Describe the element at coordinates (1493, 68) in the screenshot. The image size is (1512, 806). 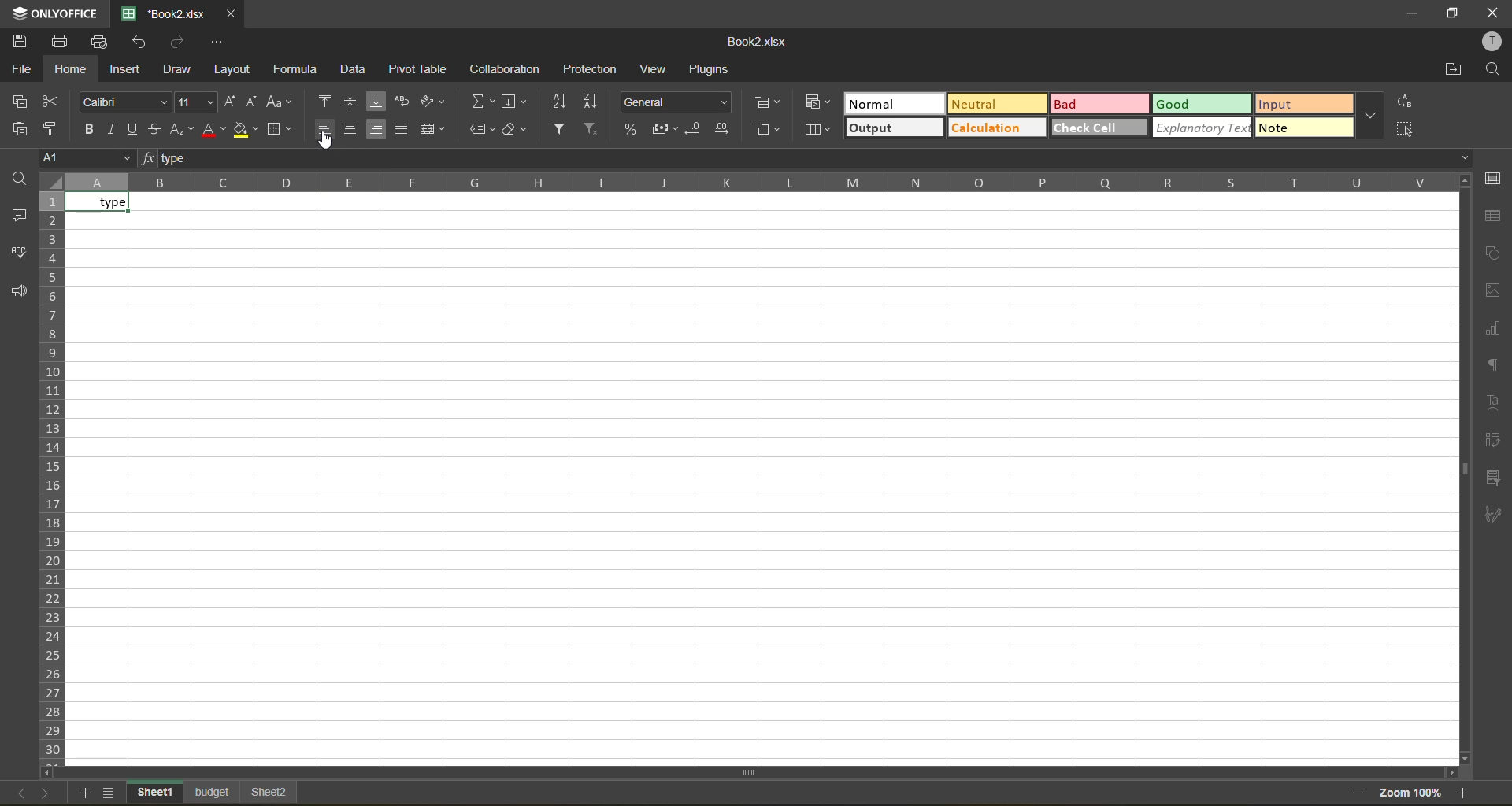
I see `find` at that location.